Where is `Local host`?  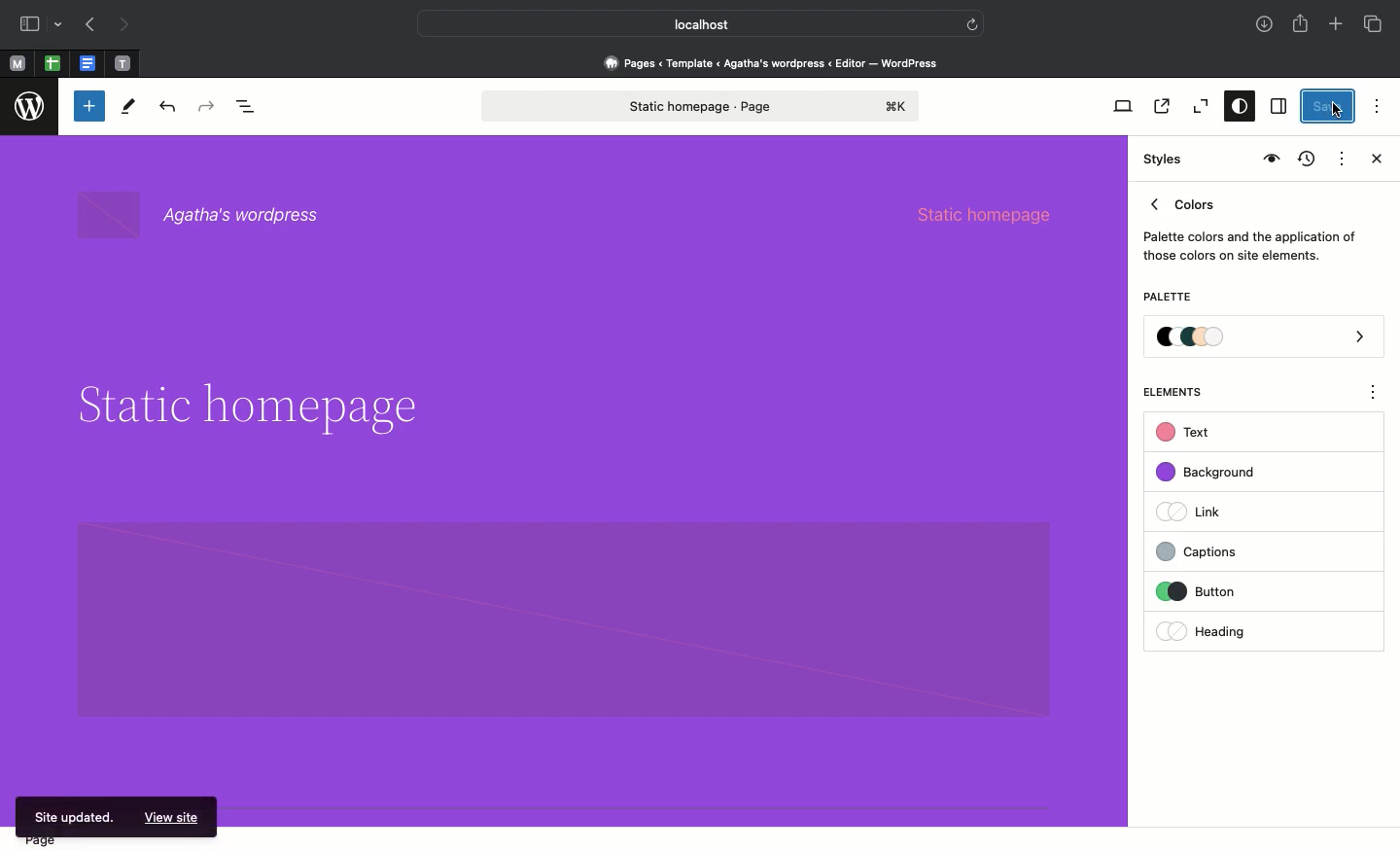 Local host is located at coordinates (686, 23).